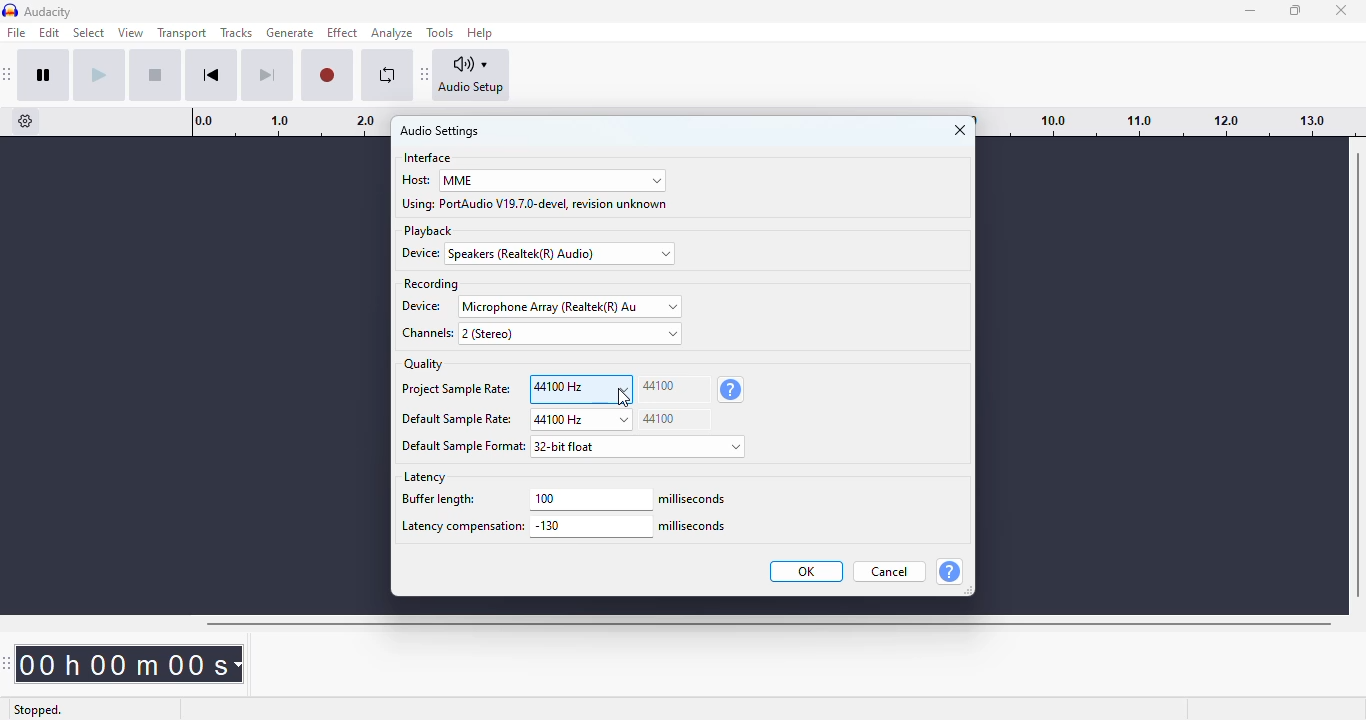 The height and width of the screenshot is (720, 1366). I want to click on latency compensation, so click(461, 528).